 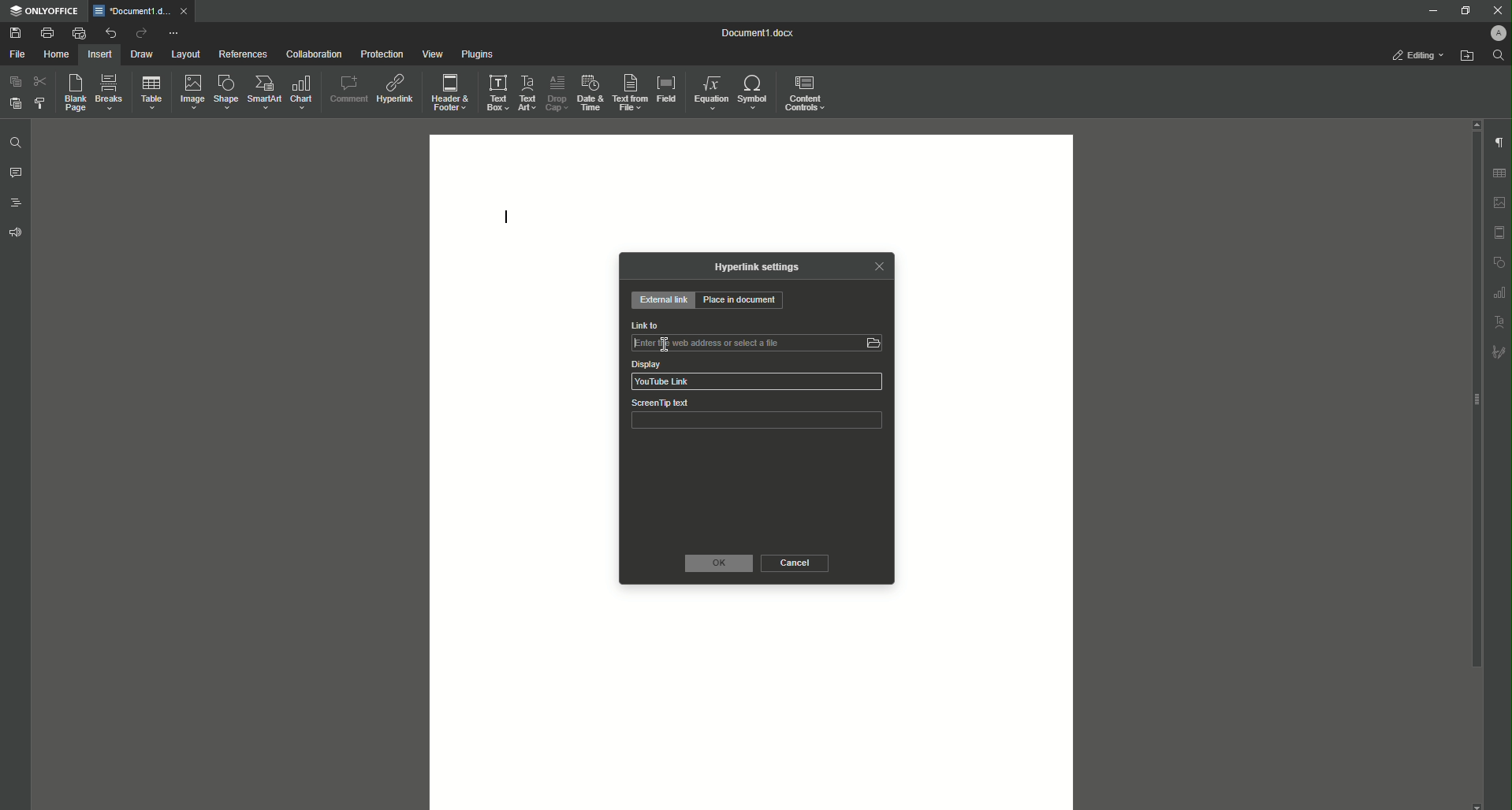 What do you see at coordinates (528, 93) in the screenshot?
I see `Text Art` at bounding box center [528, 93].